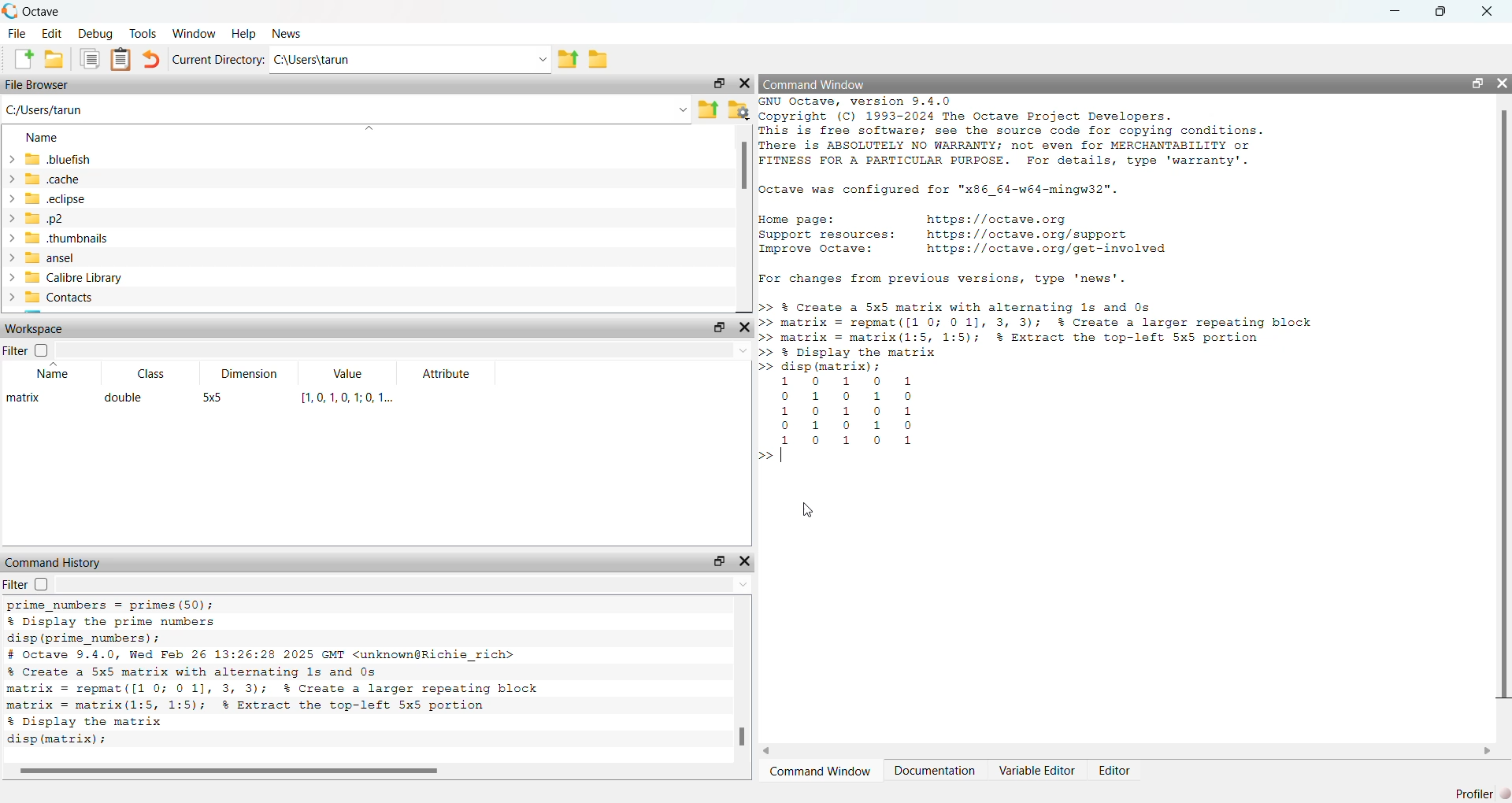 Image resolution: width=1512 pixels, height=803 pixels. What do you see at coordinates (58, 160) in the screenshot?
I see `.bluefish` at bounding box center [58, 160].